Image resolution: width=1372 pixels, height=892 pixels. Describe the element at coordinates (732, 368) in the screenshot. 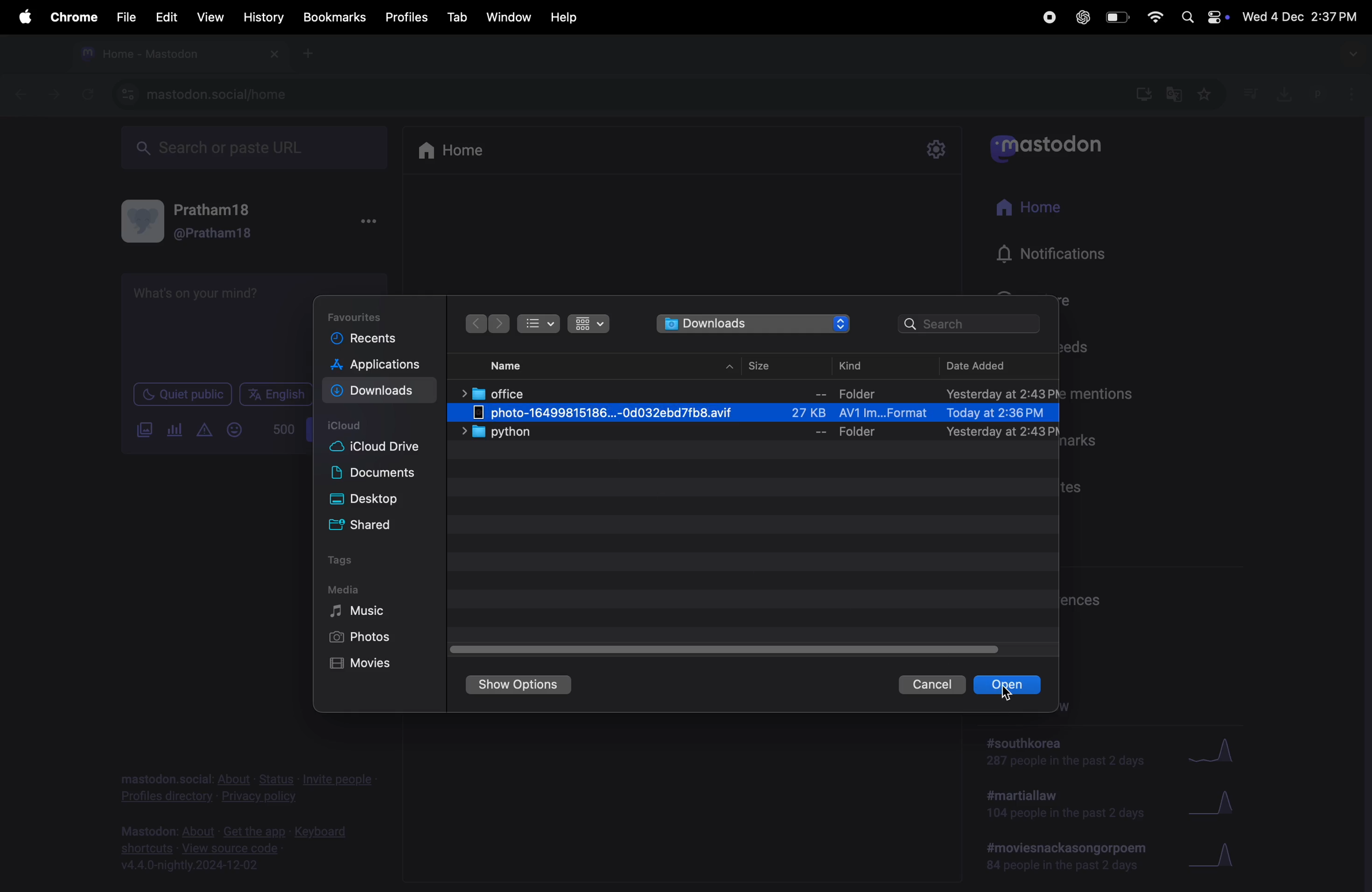

I see `upward` at that location.